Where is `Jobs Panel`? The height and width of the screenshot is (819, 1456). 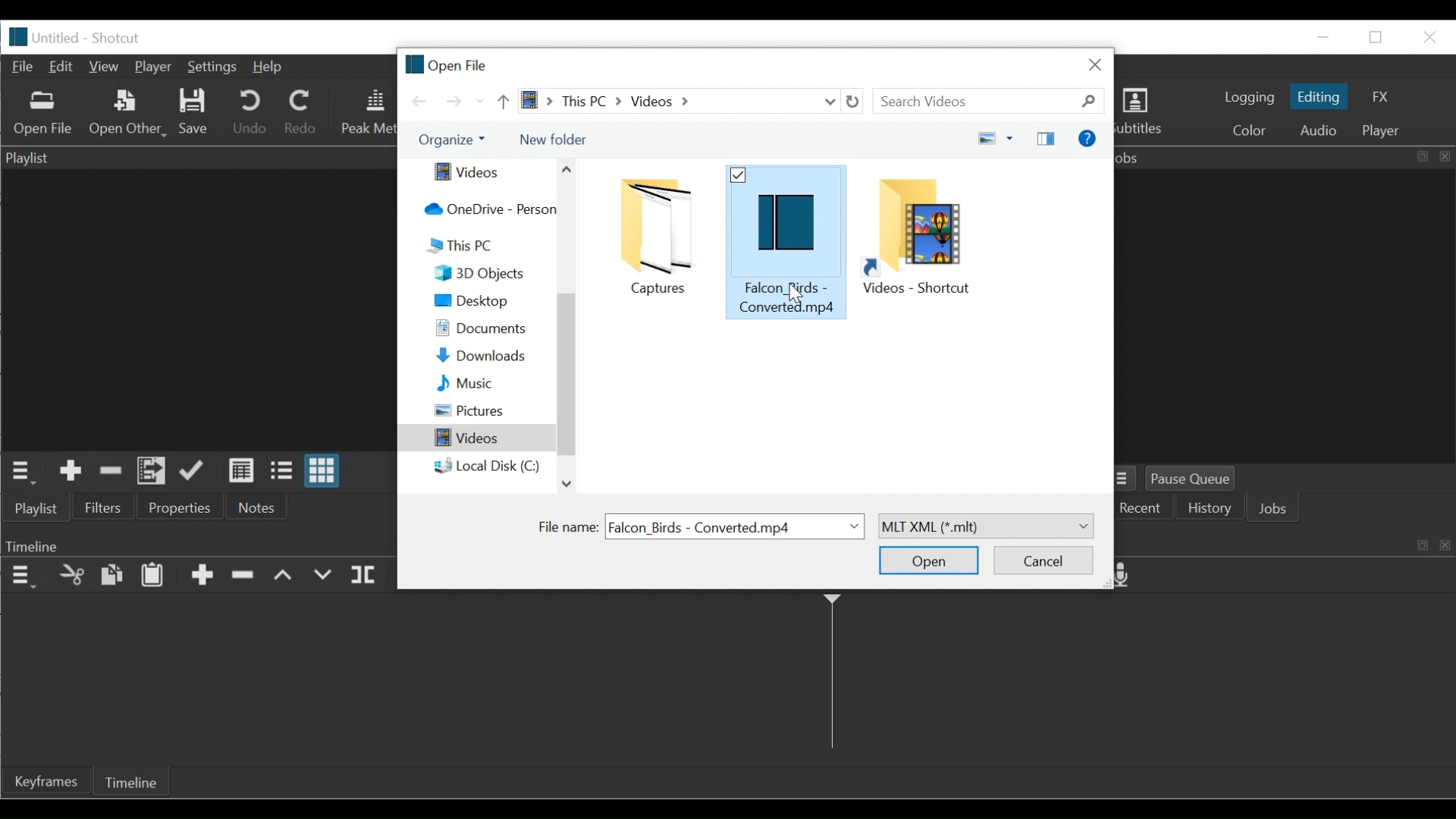
Jobs Panel is located at coordinates (1285, 157).